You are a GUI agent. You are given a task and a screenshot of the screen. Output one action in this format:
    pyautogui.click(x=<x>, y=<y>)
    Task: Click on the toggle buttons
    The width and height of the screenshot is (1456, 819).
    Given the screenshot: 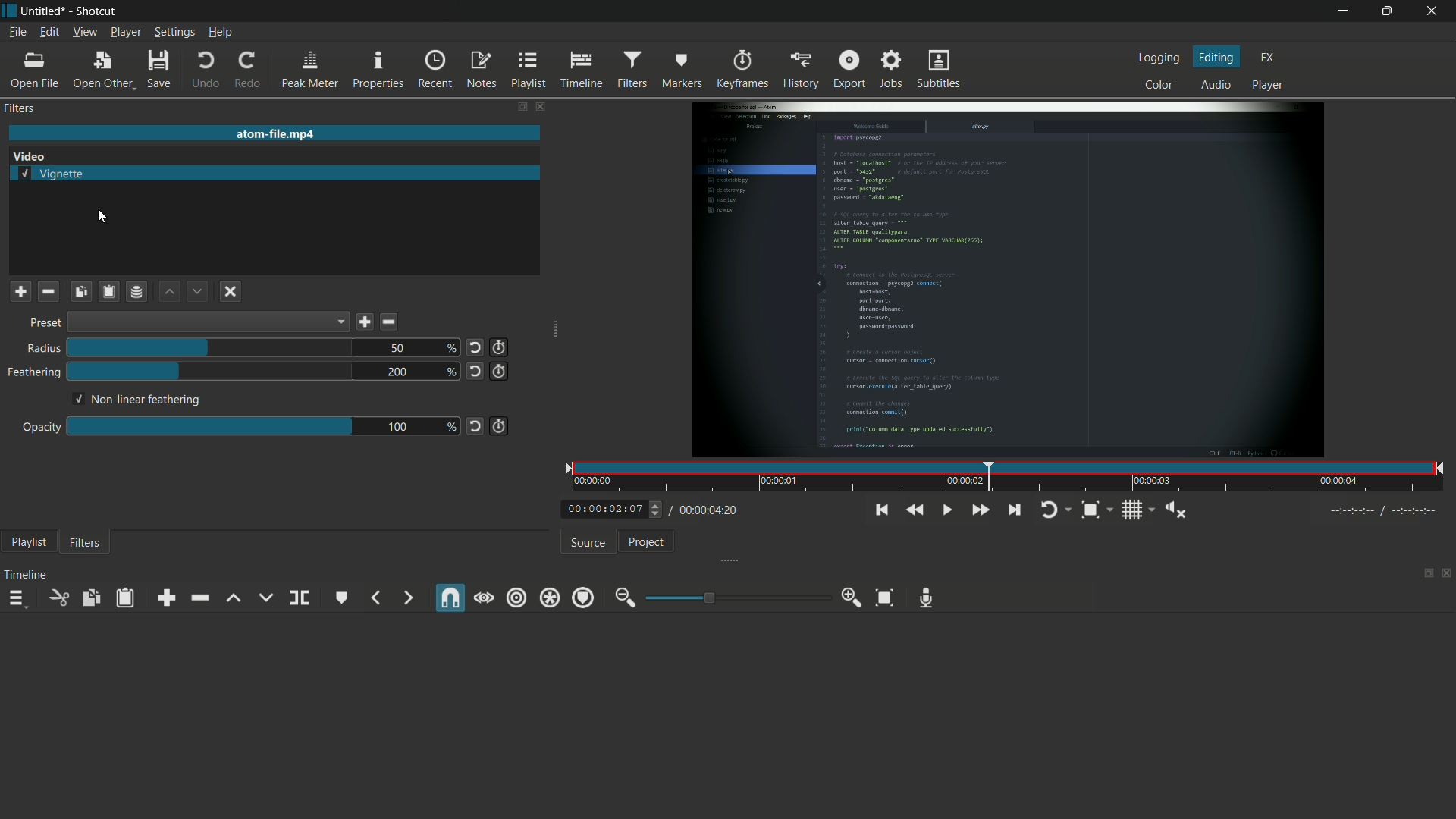 What is the action you would take?
    pyautogui.click(x=658, y=510)
    